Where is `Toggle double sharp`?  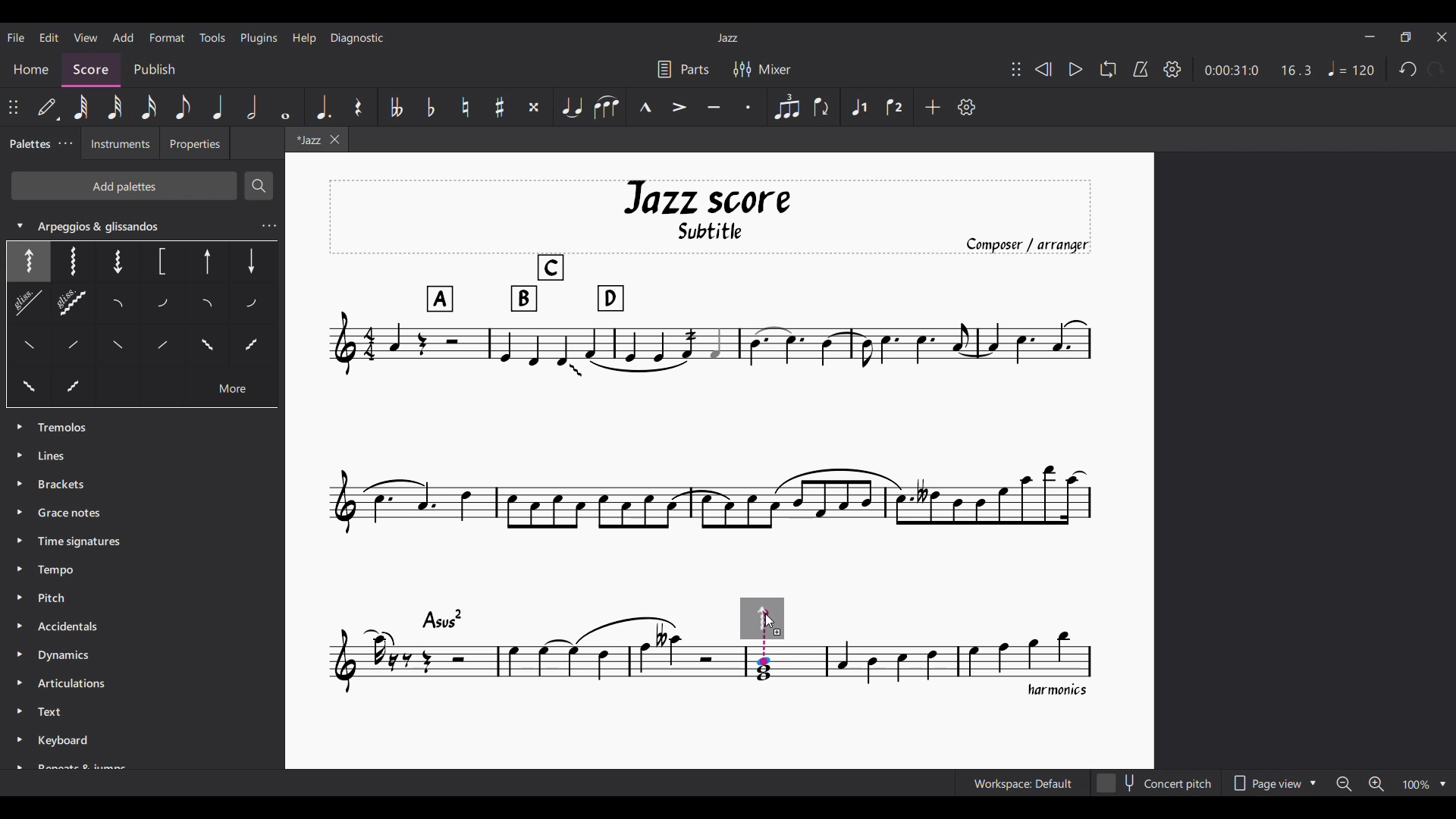 Toggle double sharp is located at coordinates (534, 108).